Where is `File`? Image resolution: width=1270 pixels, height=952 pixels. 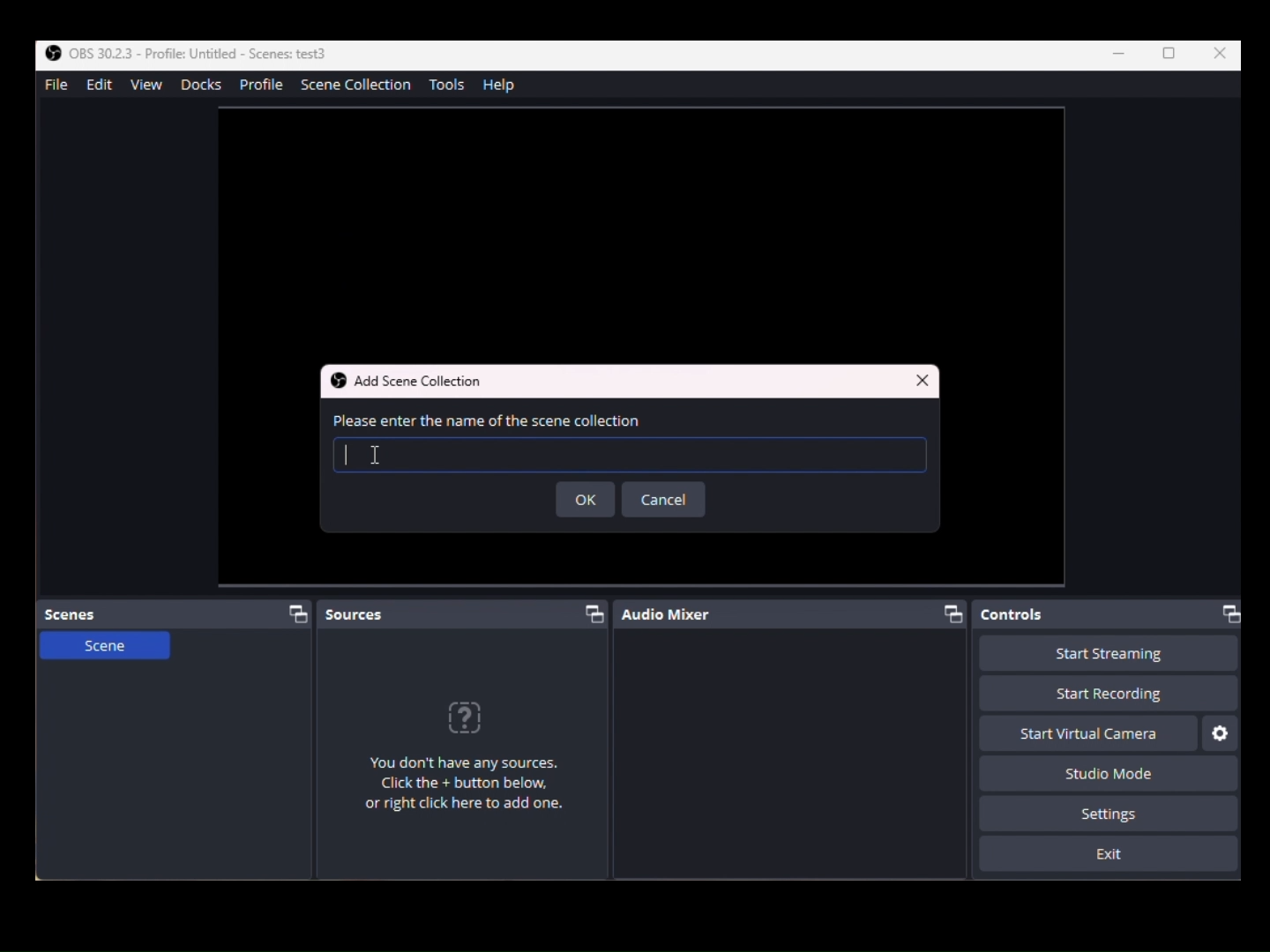 File is located at coordinates (55, 84).